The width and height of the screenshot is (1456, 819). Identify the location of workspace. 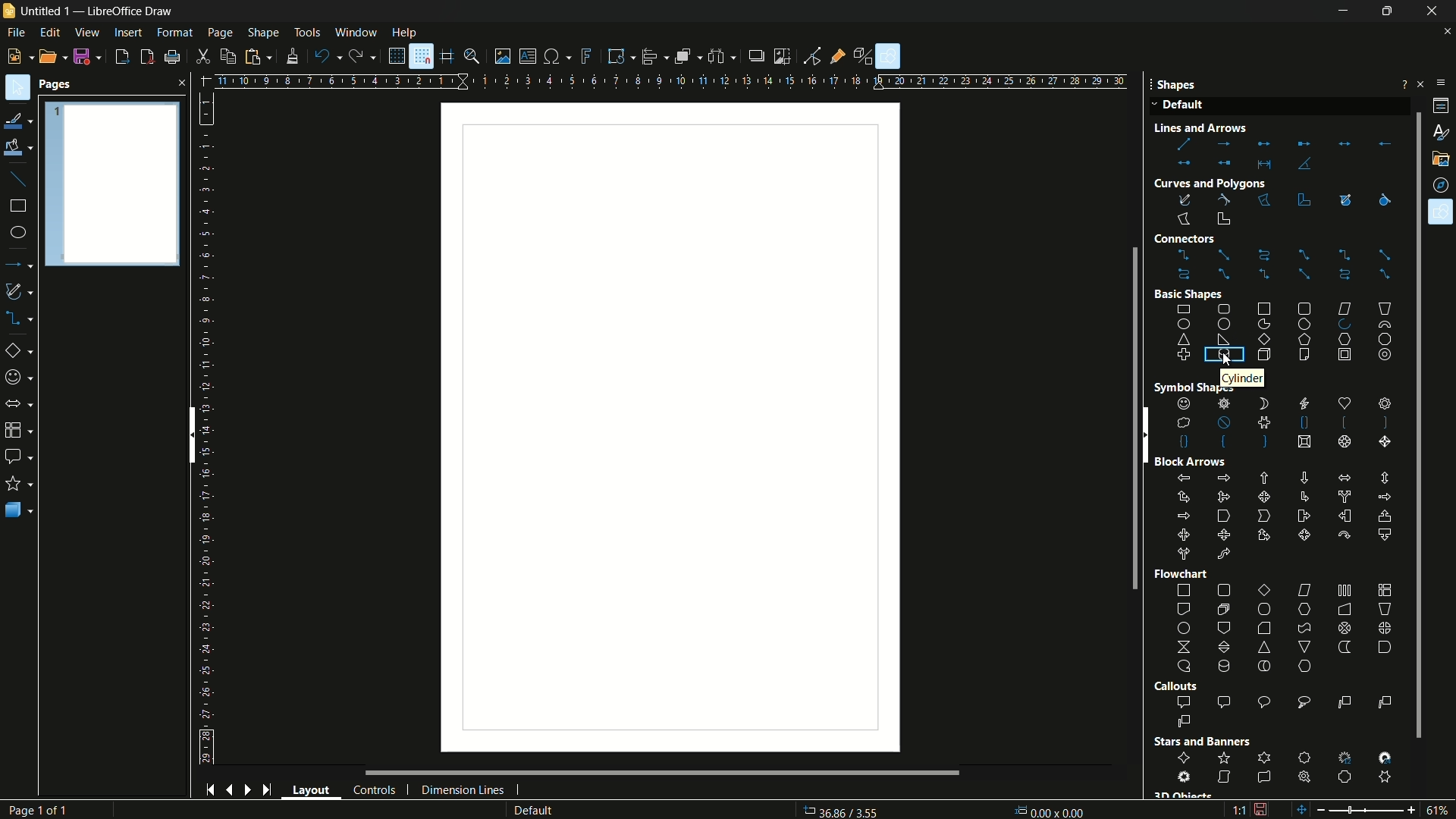
(670, 427).